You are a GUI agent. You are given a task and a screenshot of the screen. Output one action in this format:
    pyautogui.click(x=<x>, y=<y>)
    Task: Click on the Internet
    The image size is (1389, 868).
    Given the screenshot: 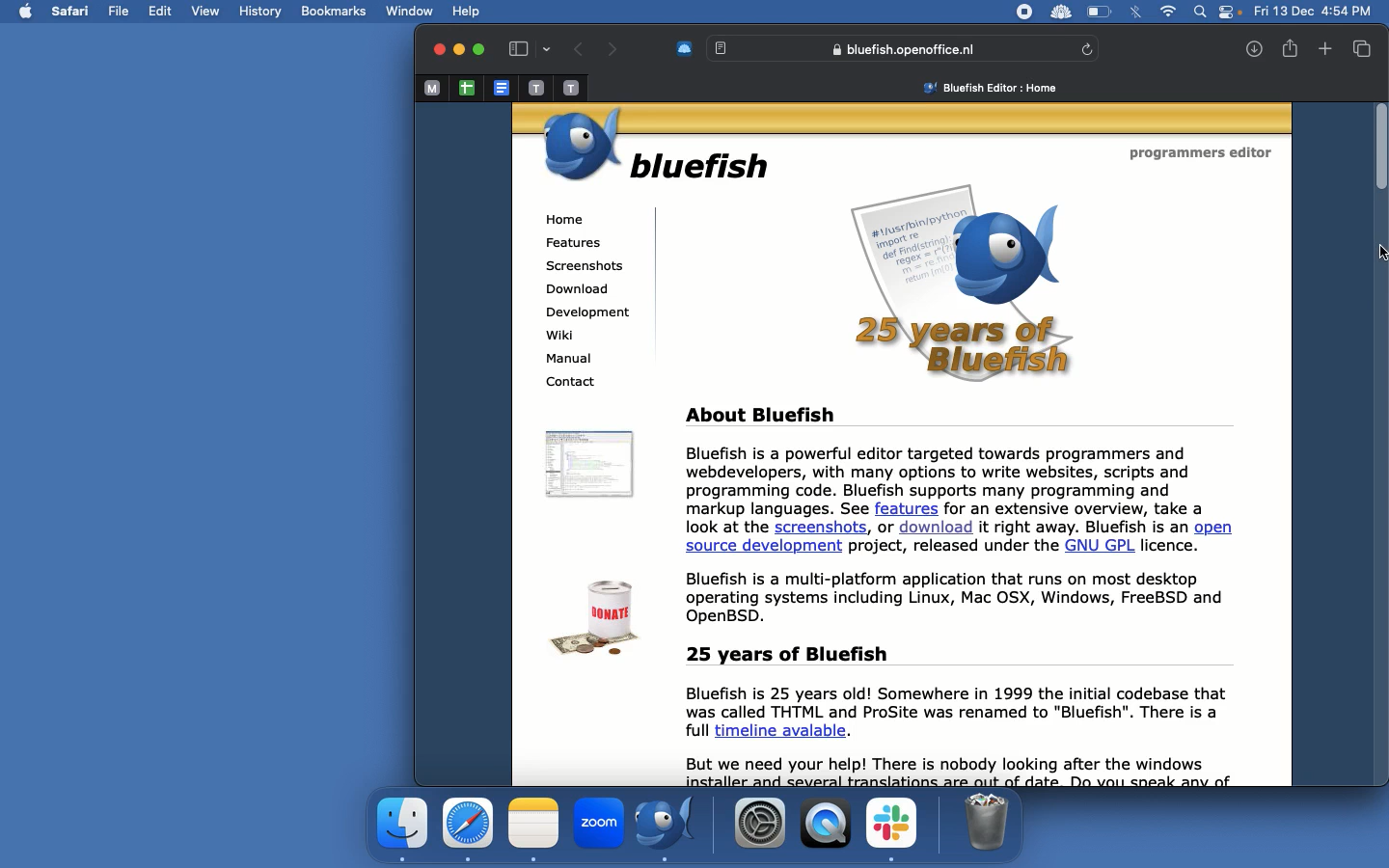 What is the action you would take?
    pyautogui.click(x=1168, y=11)
    